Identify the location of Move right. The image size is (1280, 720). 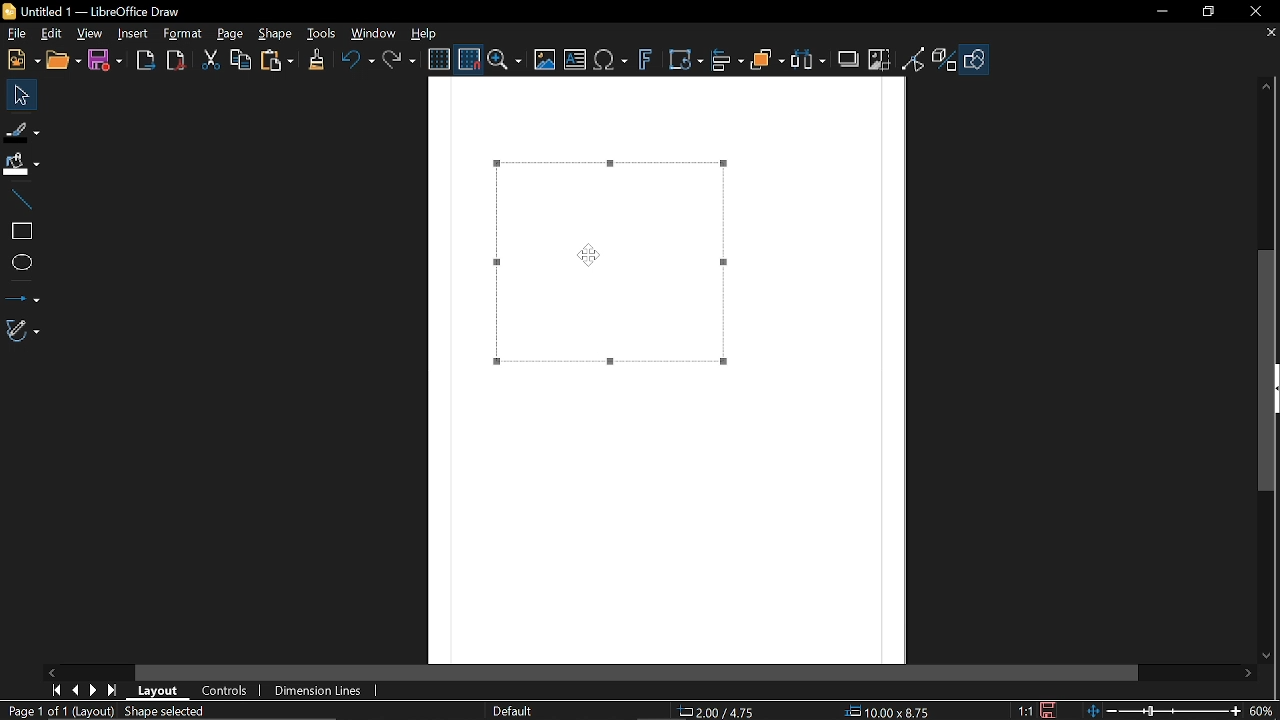
(1251, 674).